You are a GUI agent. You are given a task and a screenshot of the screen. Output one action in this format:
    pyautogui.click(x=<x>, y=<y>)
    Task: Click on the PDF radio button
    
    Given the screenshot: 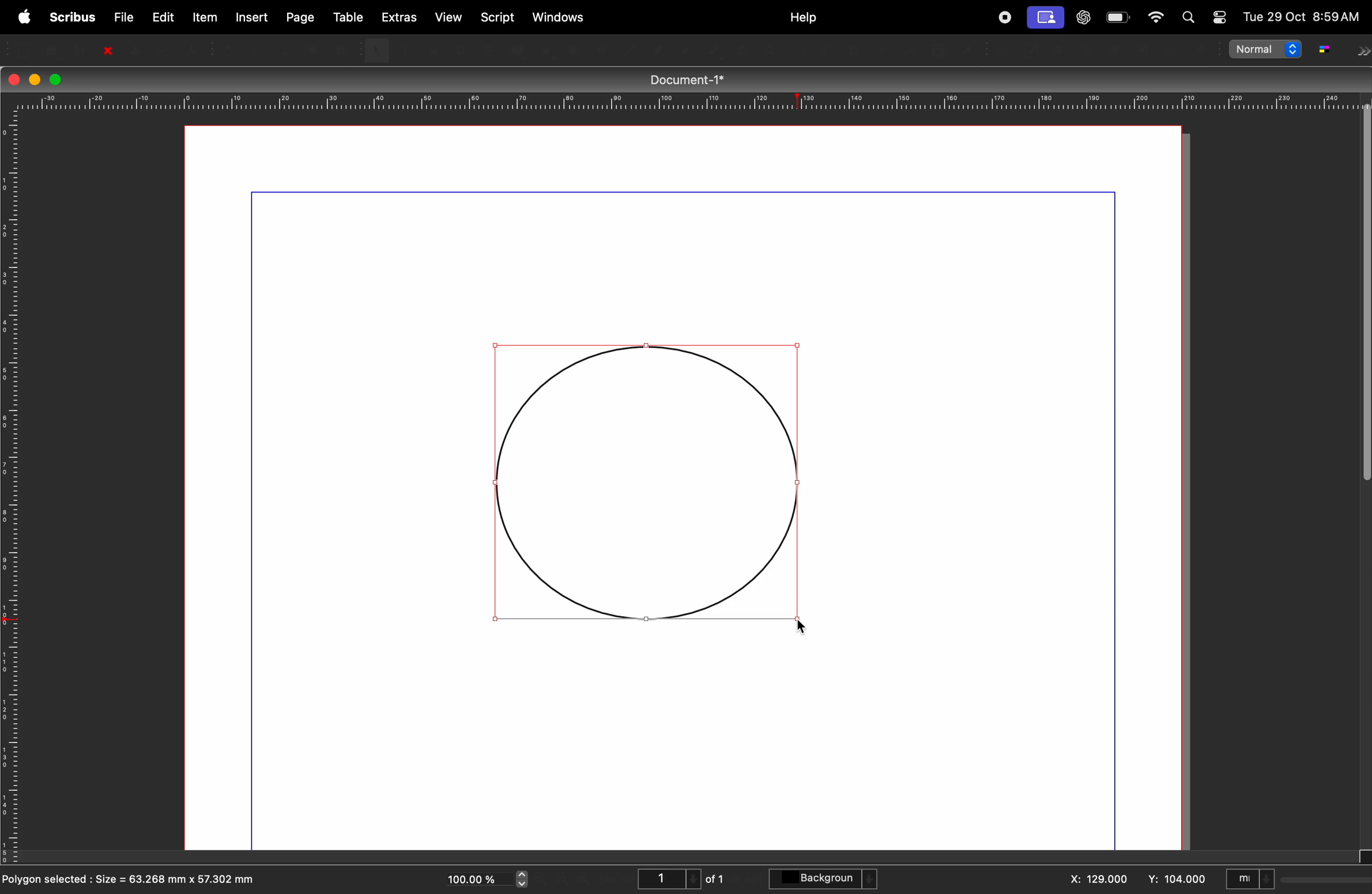 What is the action you would take?
    pyautogui.click(x=1062, y=50)
    